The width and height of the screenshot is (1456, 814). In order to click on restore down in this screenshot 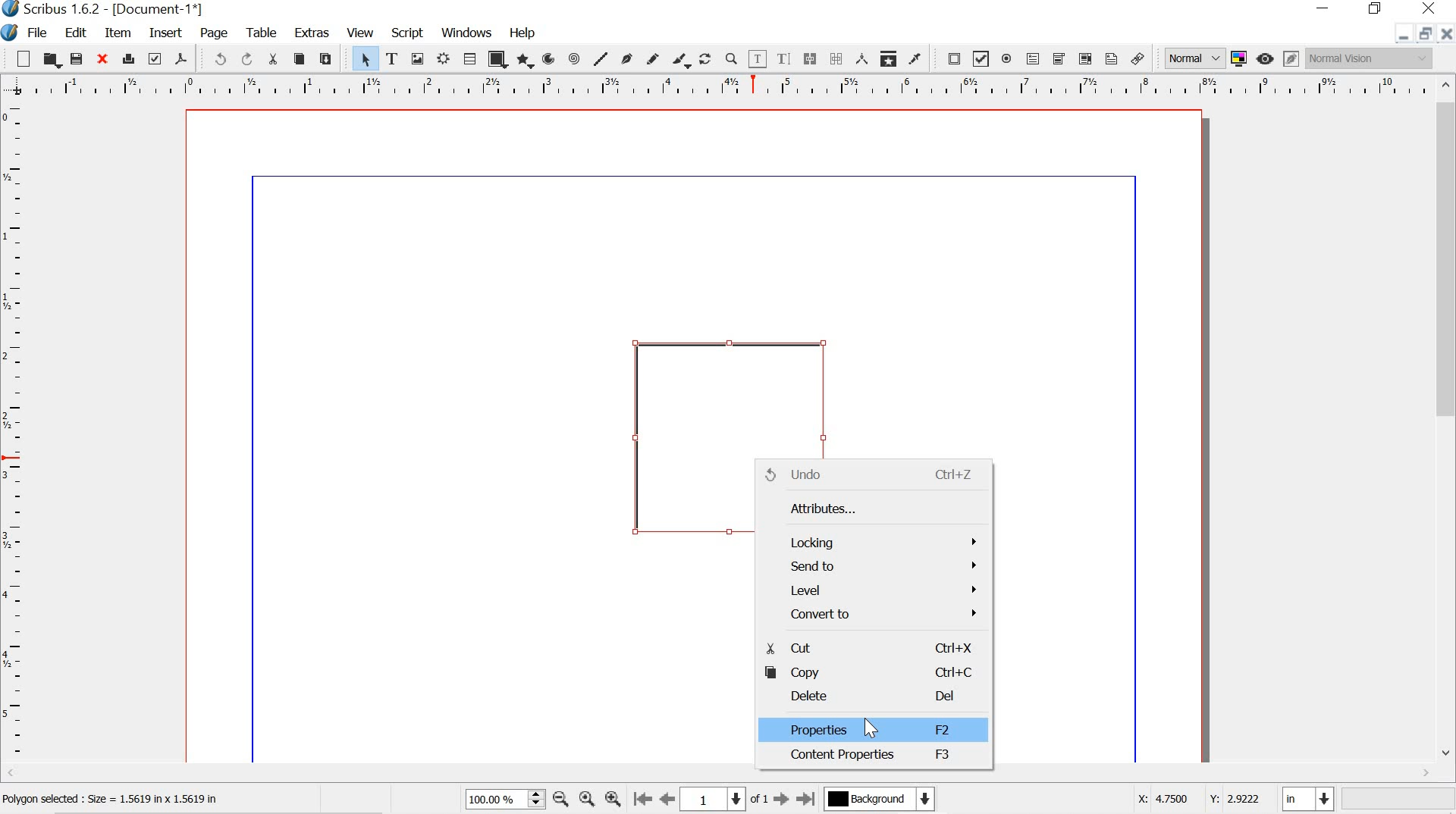, I will do `click(1423, 33)`.